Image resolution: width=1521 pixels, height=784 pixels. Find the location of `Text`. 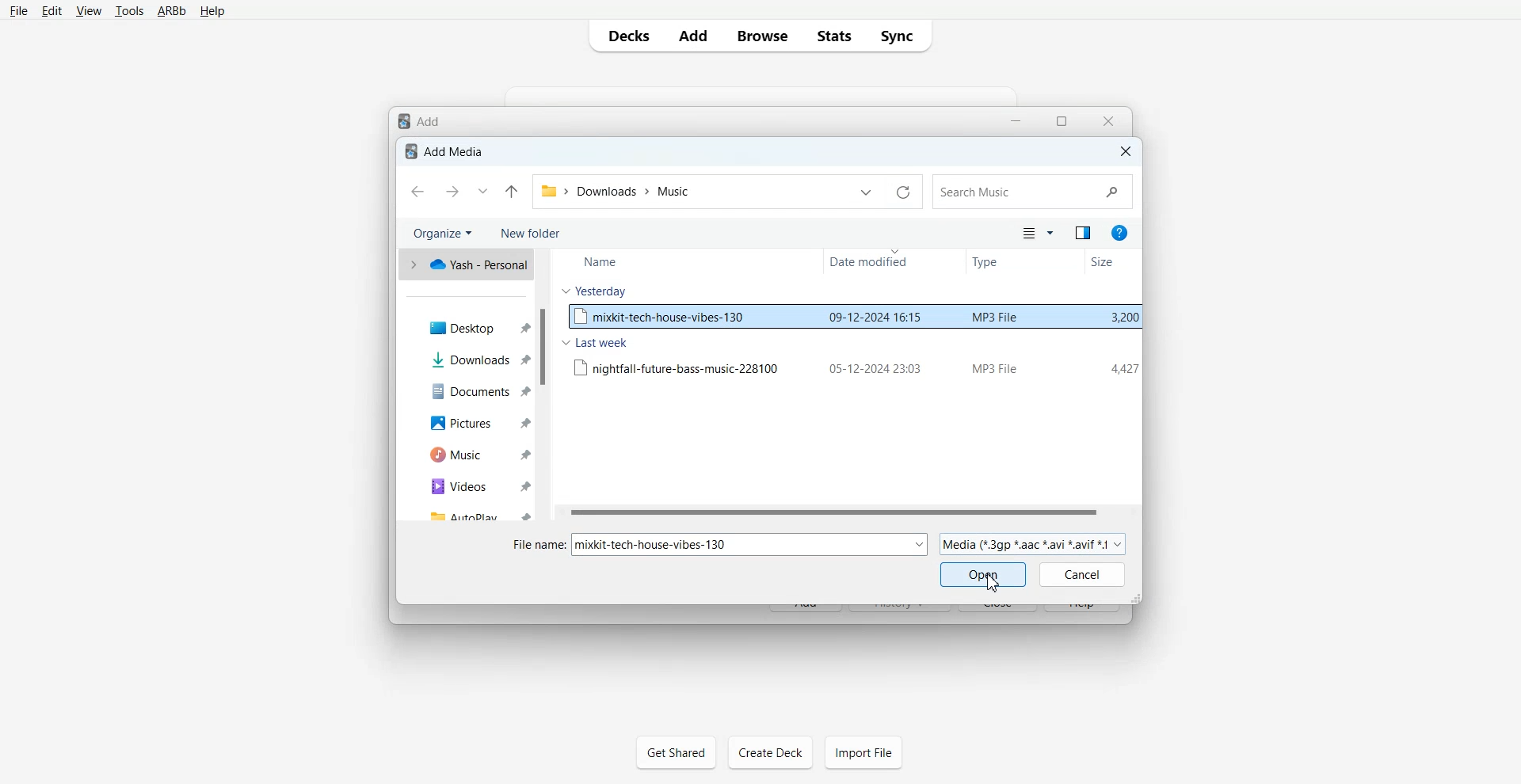

Text is located at coordinates (446, 150).